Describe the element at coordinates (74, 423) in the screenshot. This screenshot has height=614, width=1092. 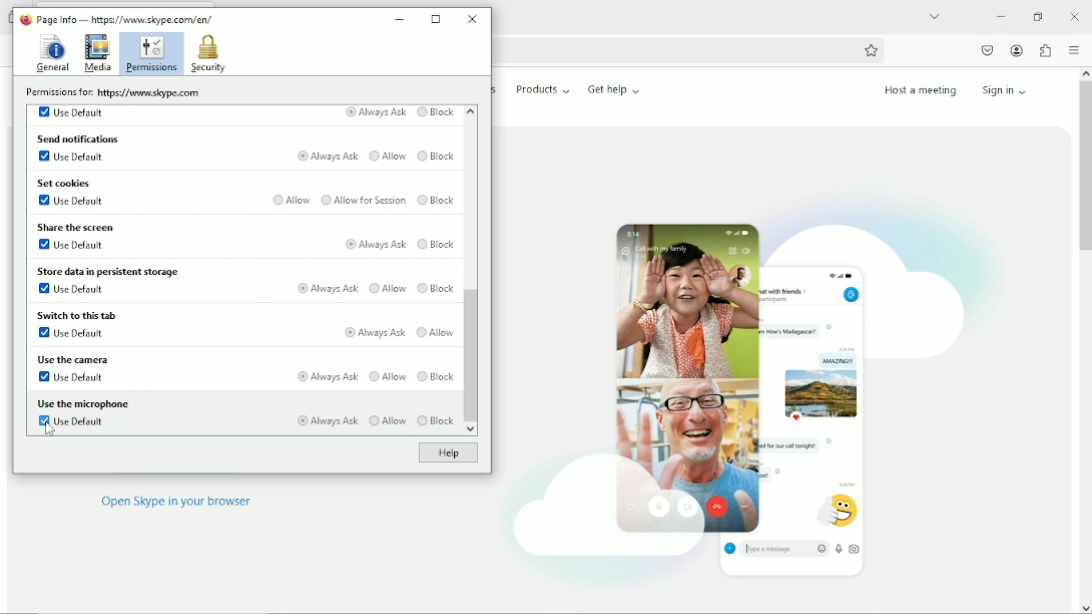
I see `Use default` at that location.